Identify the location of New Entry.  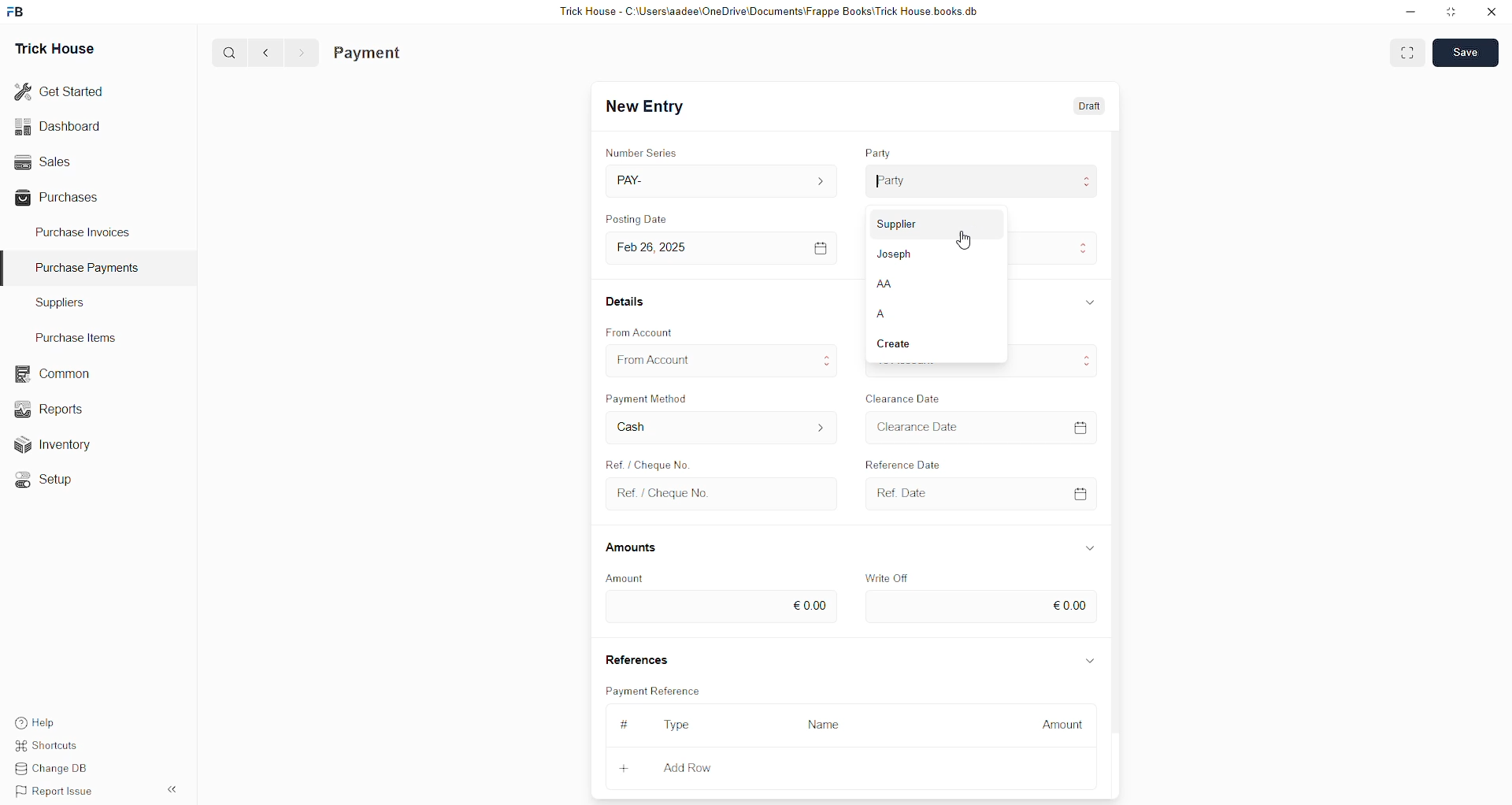
(645, 108).